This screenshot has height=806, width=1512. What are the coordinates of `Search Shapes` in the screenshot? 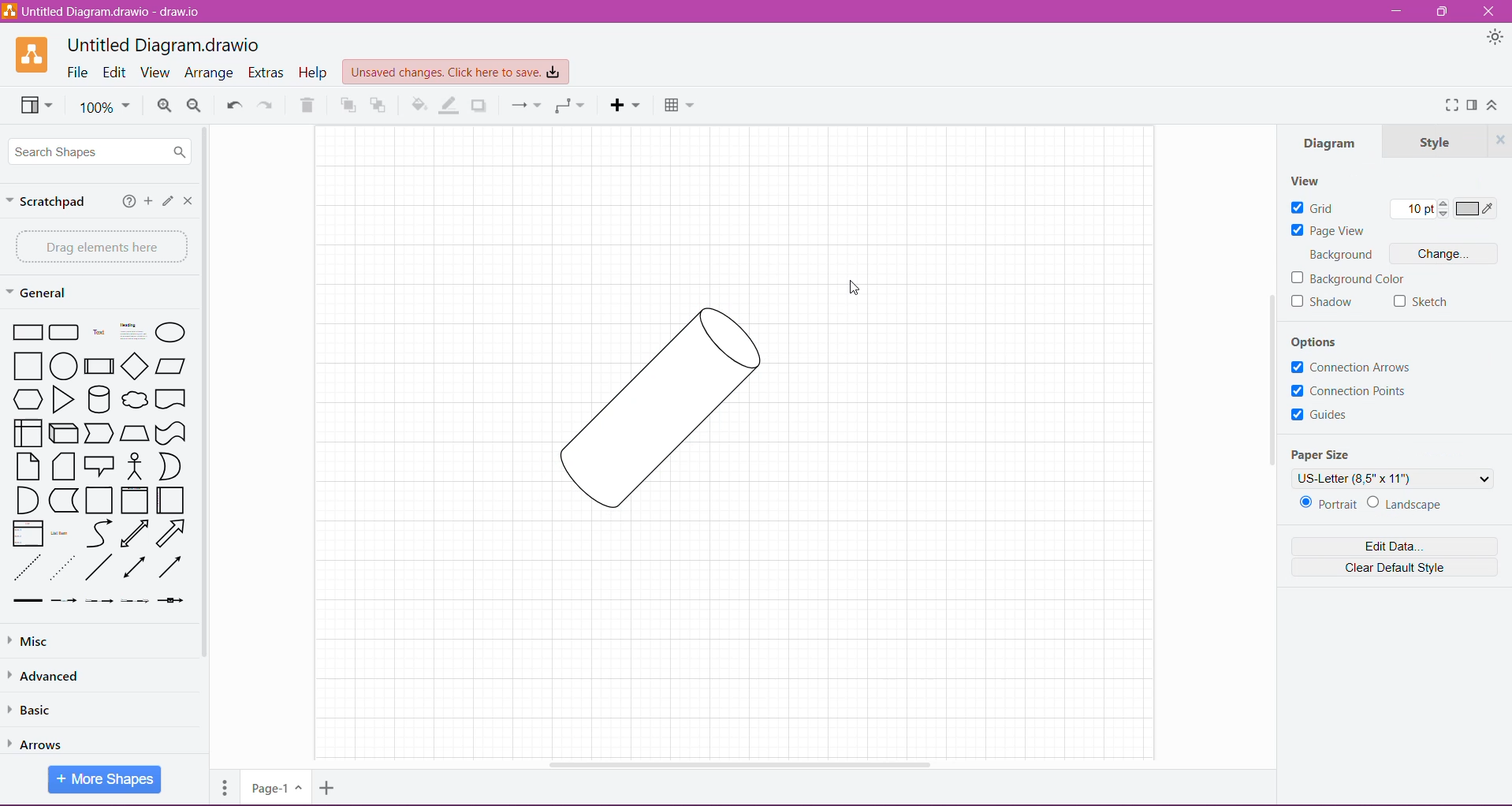 It's located at (102, 152).